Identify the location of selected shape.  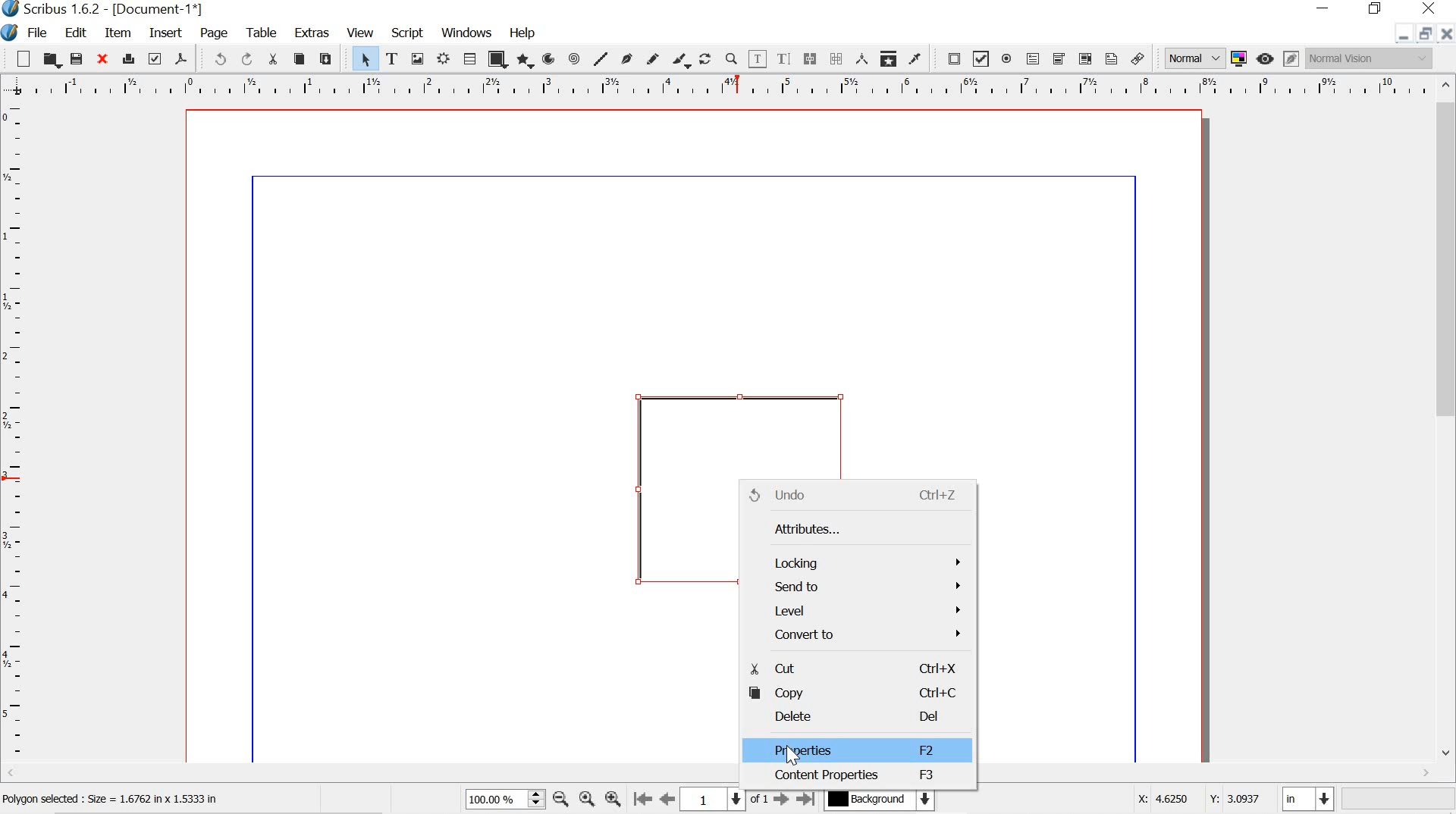
(673, 490).